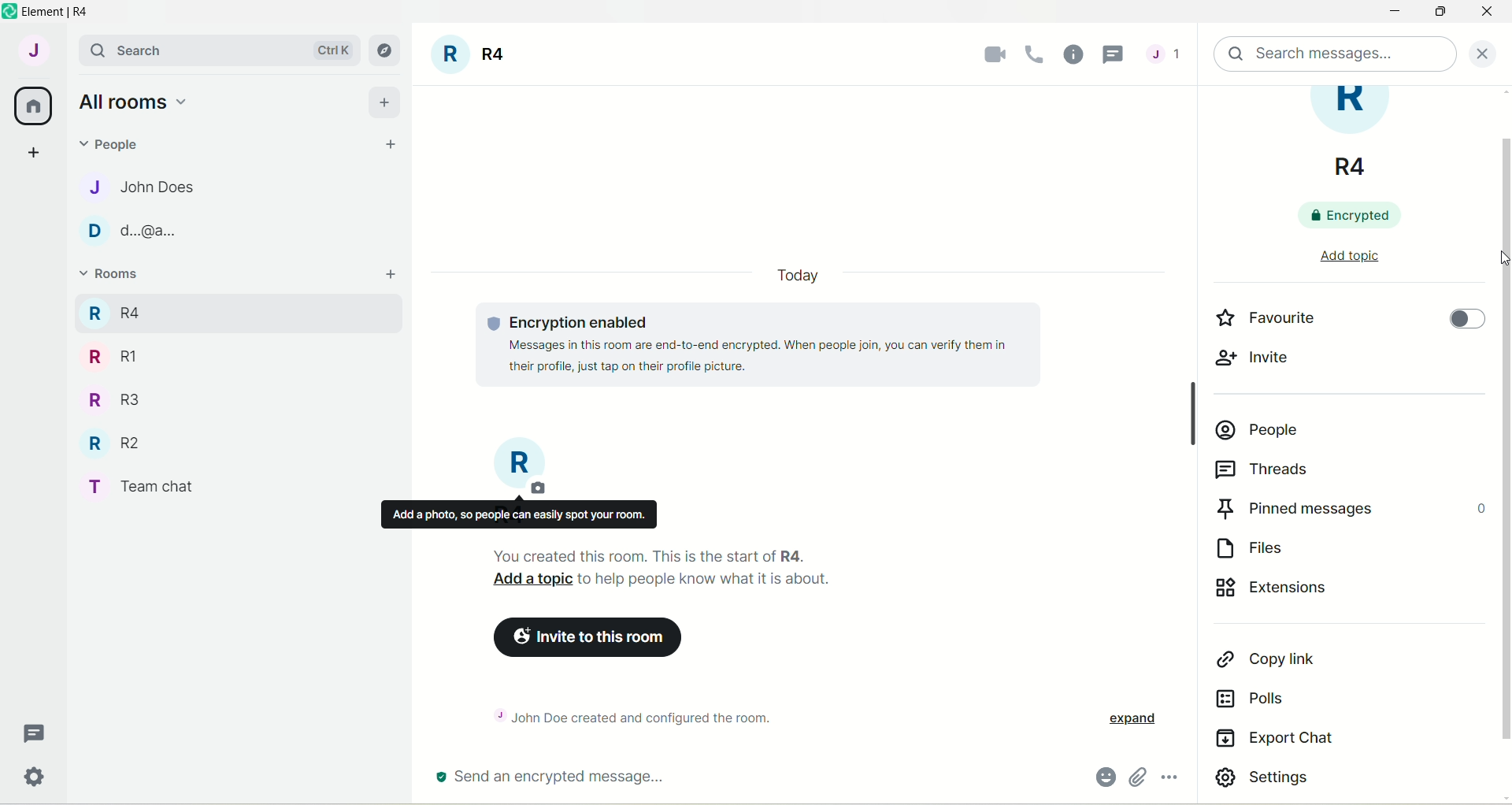 The width and height of the screenshot is (1512, 805). What do you see at coordinates (1131, 720) in the screenshot?
I see `expand` at bounding box center [1131, 720].